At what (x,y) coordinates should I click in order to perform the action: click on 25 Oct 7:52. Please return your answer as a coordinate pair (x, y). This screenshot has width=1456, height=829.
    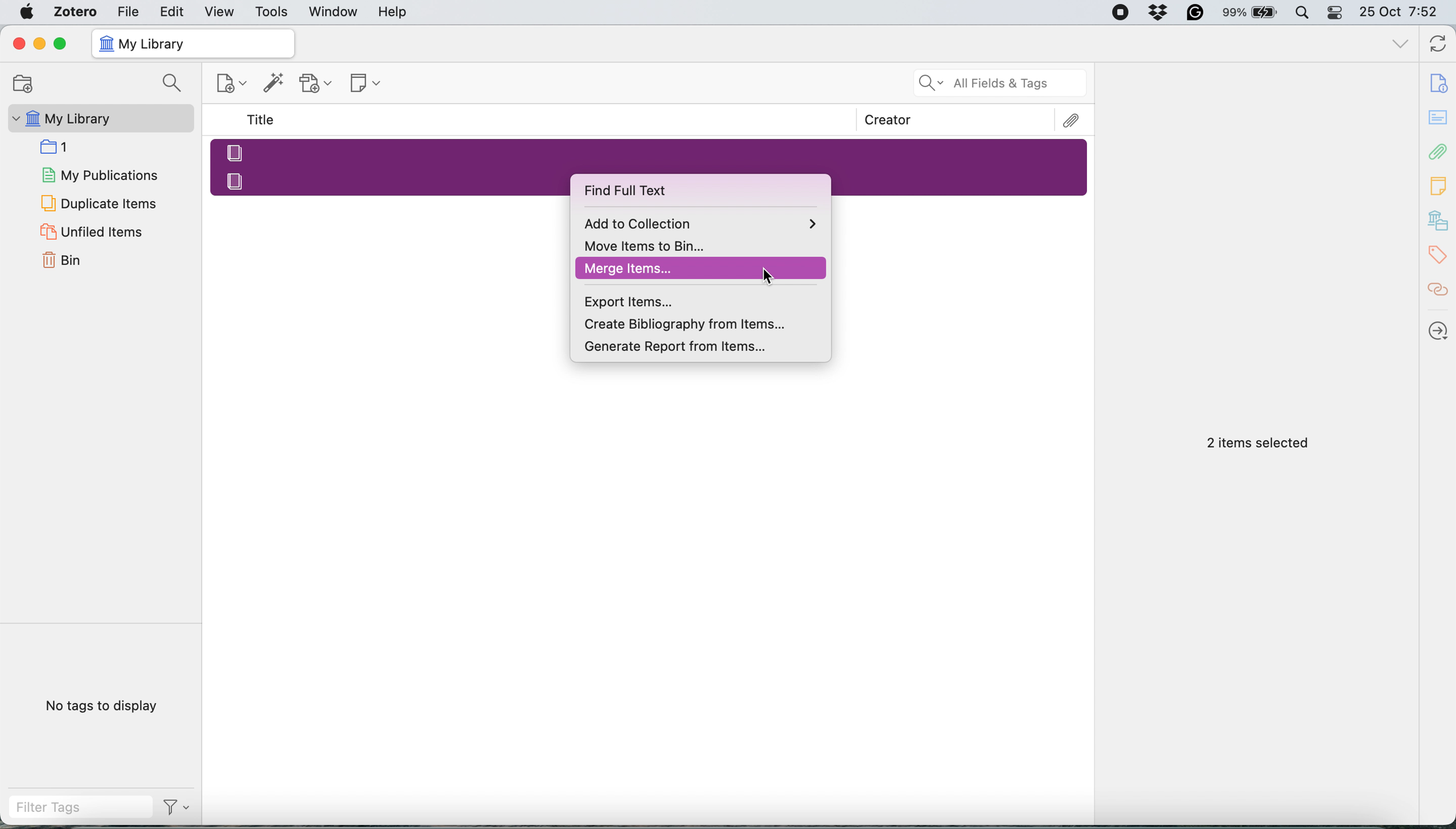
    Looking at the image, I should click on (1404, 13).